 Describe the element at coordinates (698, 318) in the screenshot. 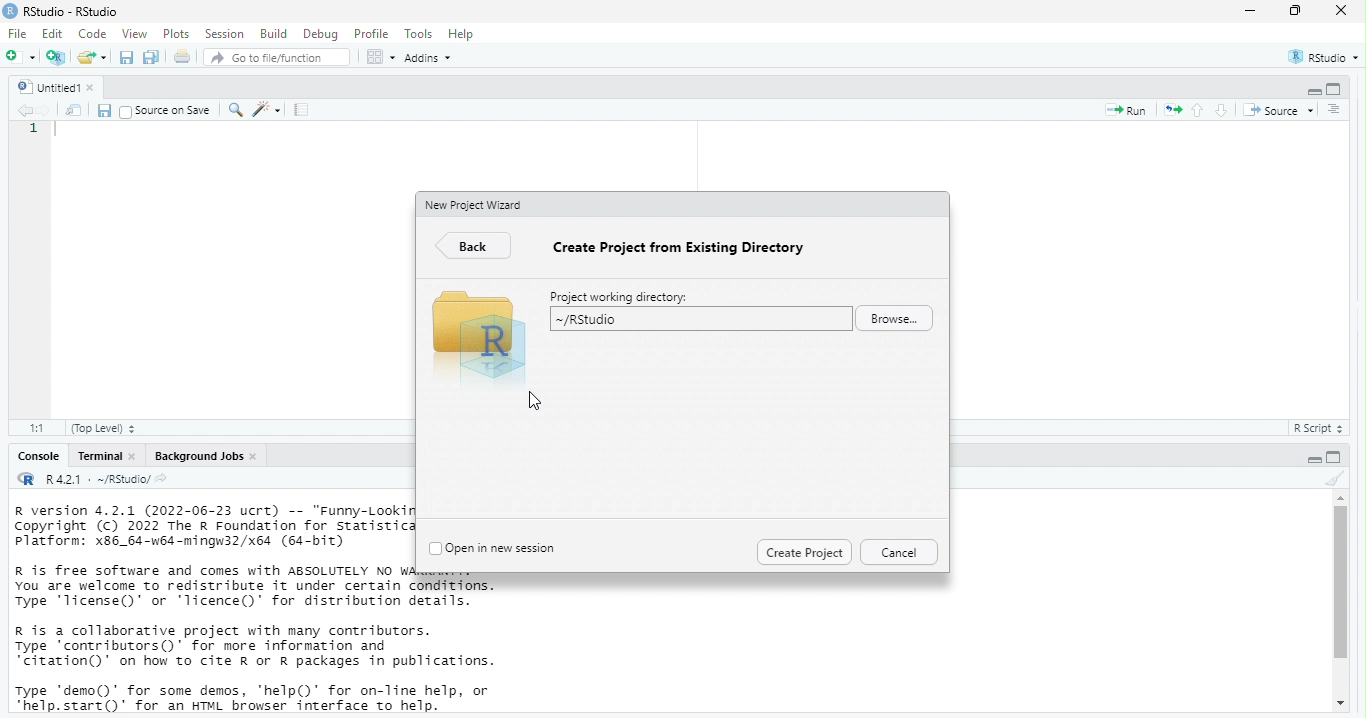

I see `~/RStudio` at that location.